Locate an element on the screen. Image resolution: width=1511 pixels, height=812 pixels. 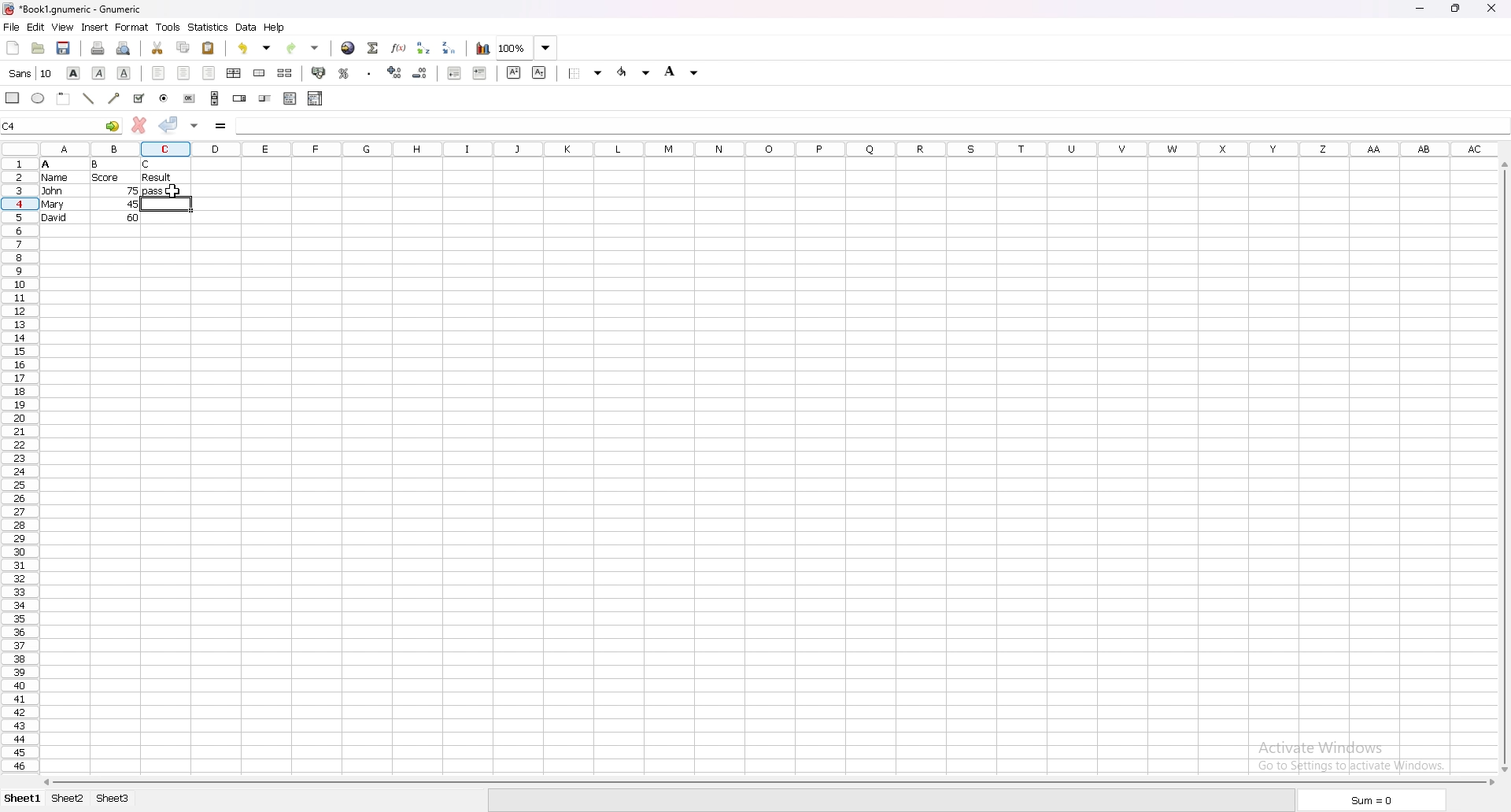
undo is located at coordinates (253, 50).